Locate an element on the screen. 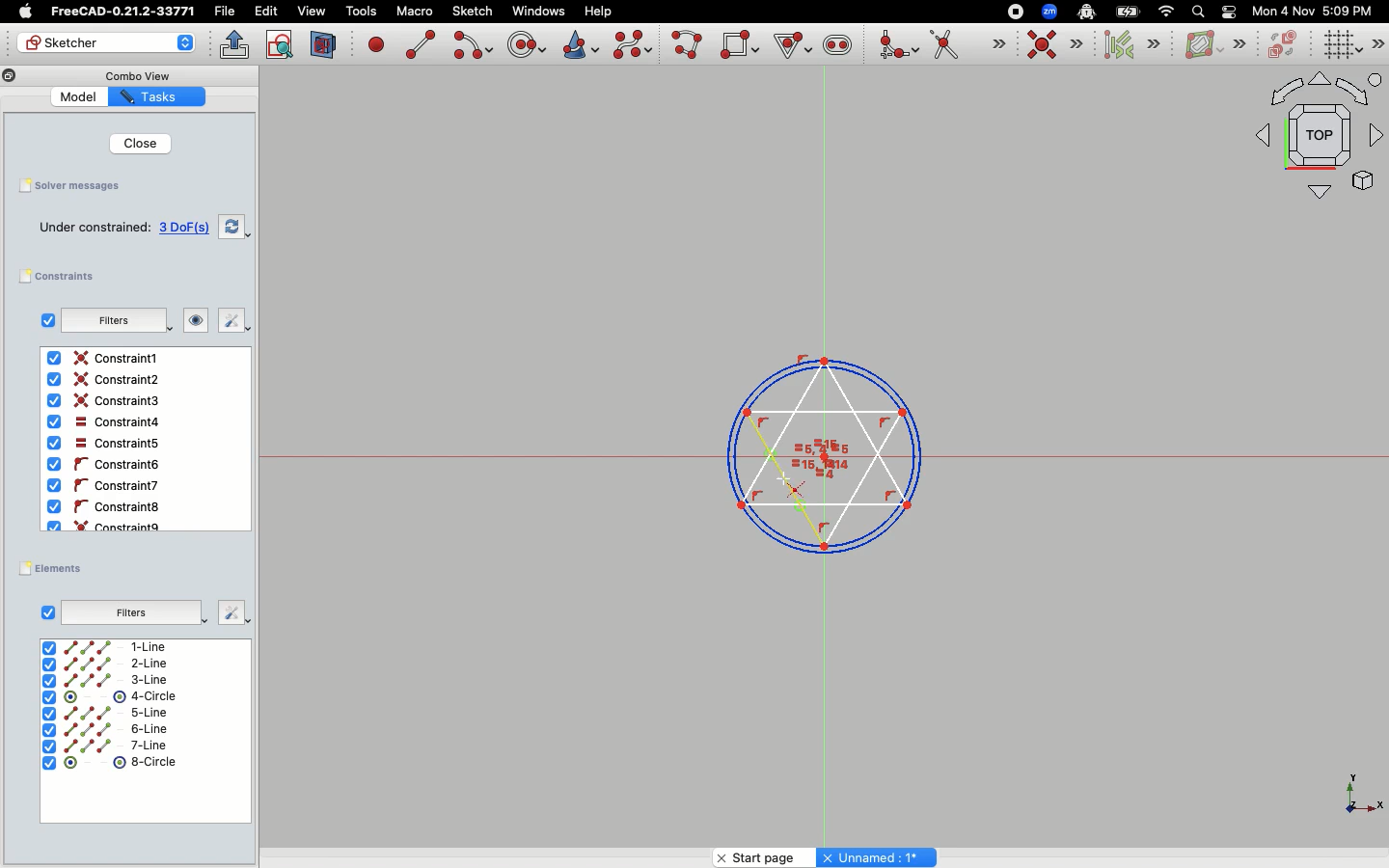 The image size is (1389, 868). 5-line is located at coordinates (107, 713).